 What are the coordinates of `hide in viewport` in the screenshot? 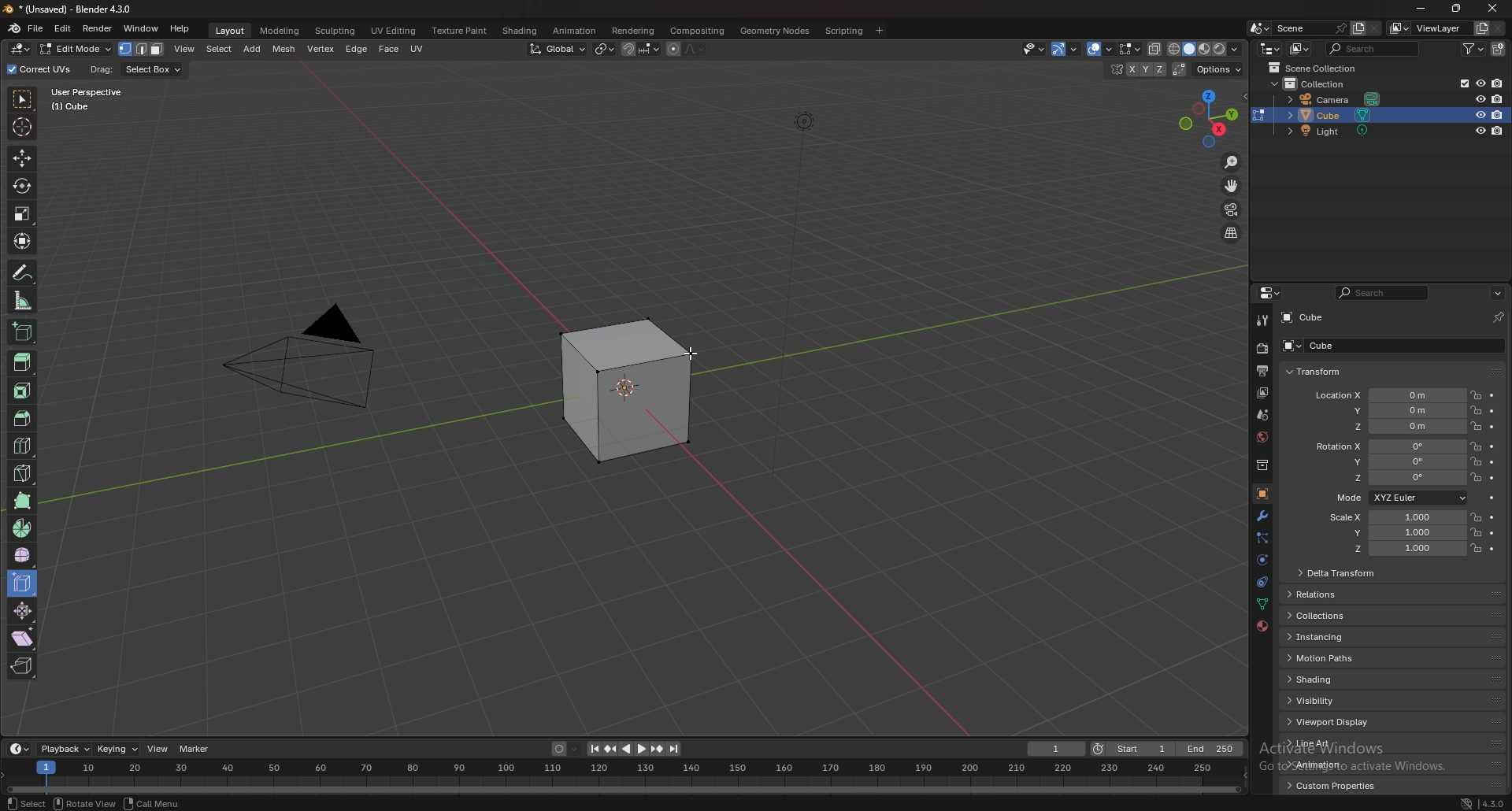 It's located at (1111, 87).